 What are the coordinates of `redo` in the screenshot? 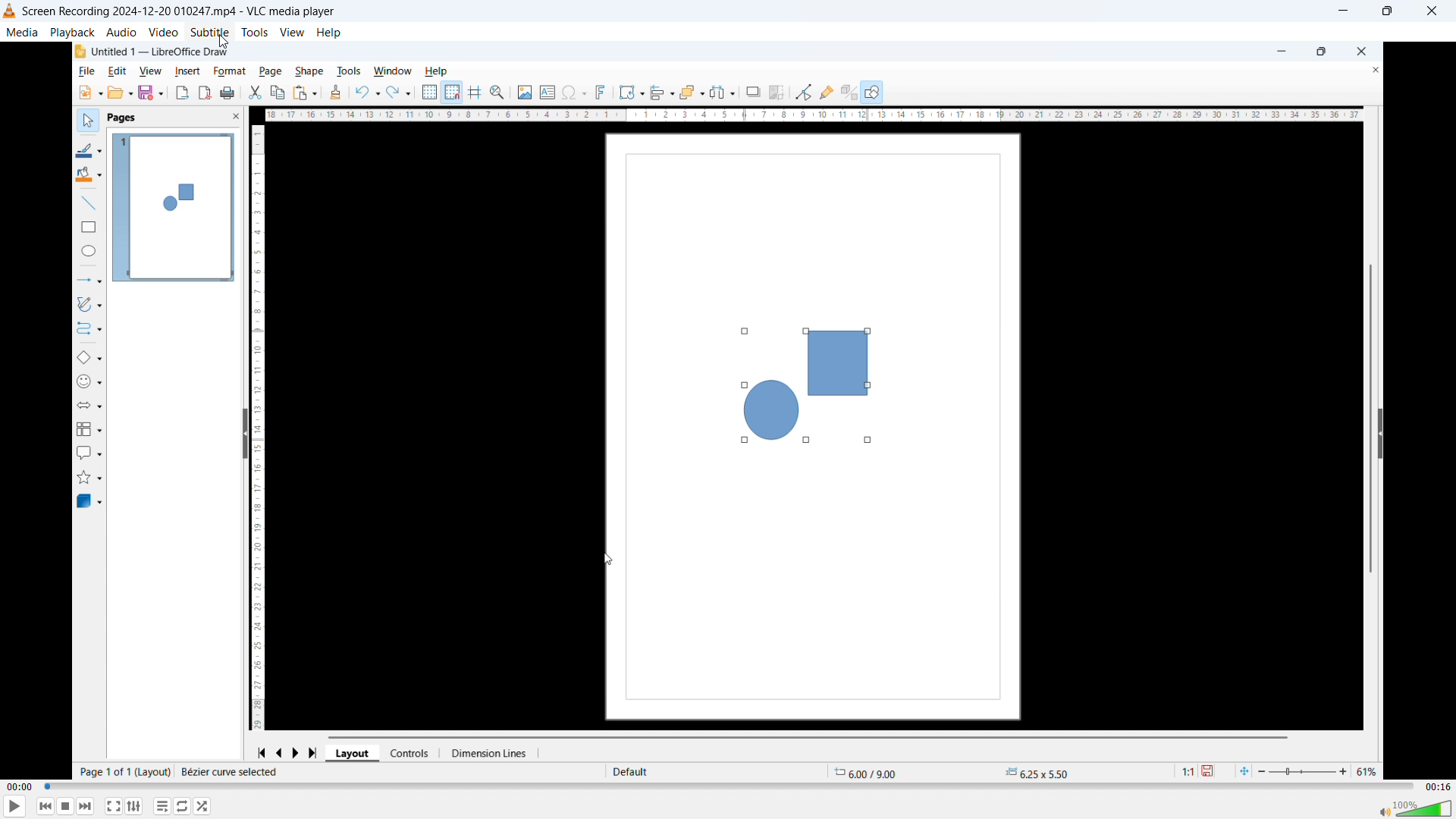 It's located at (400, 91).